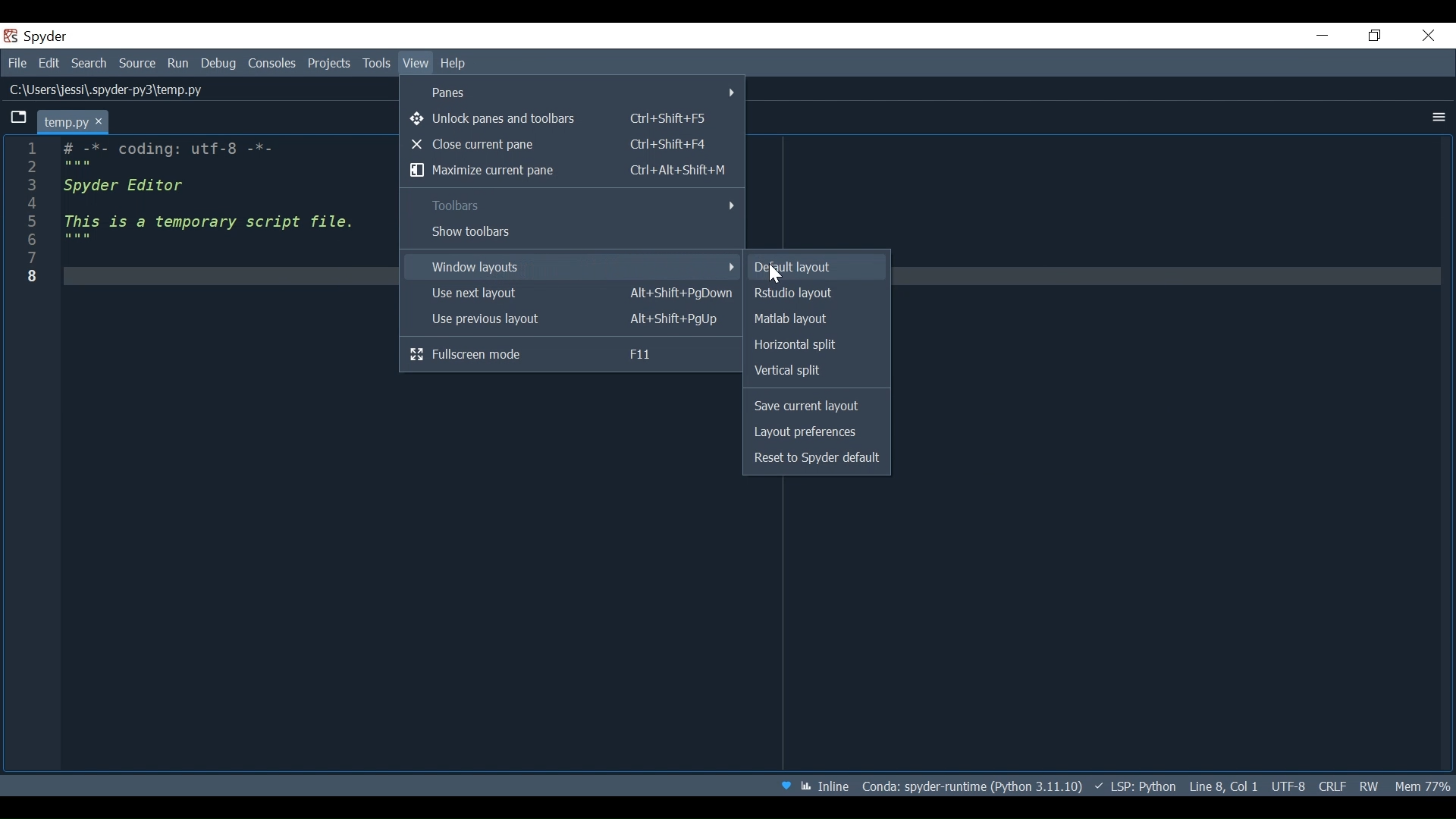 This screenshot has height=819, width=1456. What do you see at coordinates (330, 64) in the screenshot?
I see `Projects` at bounding box center [330, 64].